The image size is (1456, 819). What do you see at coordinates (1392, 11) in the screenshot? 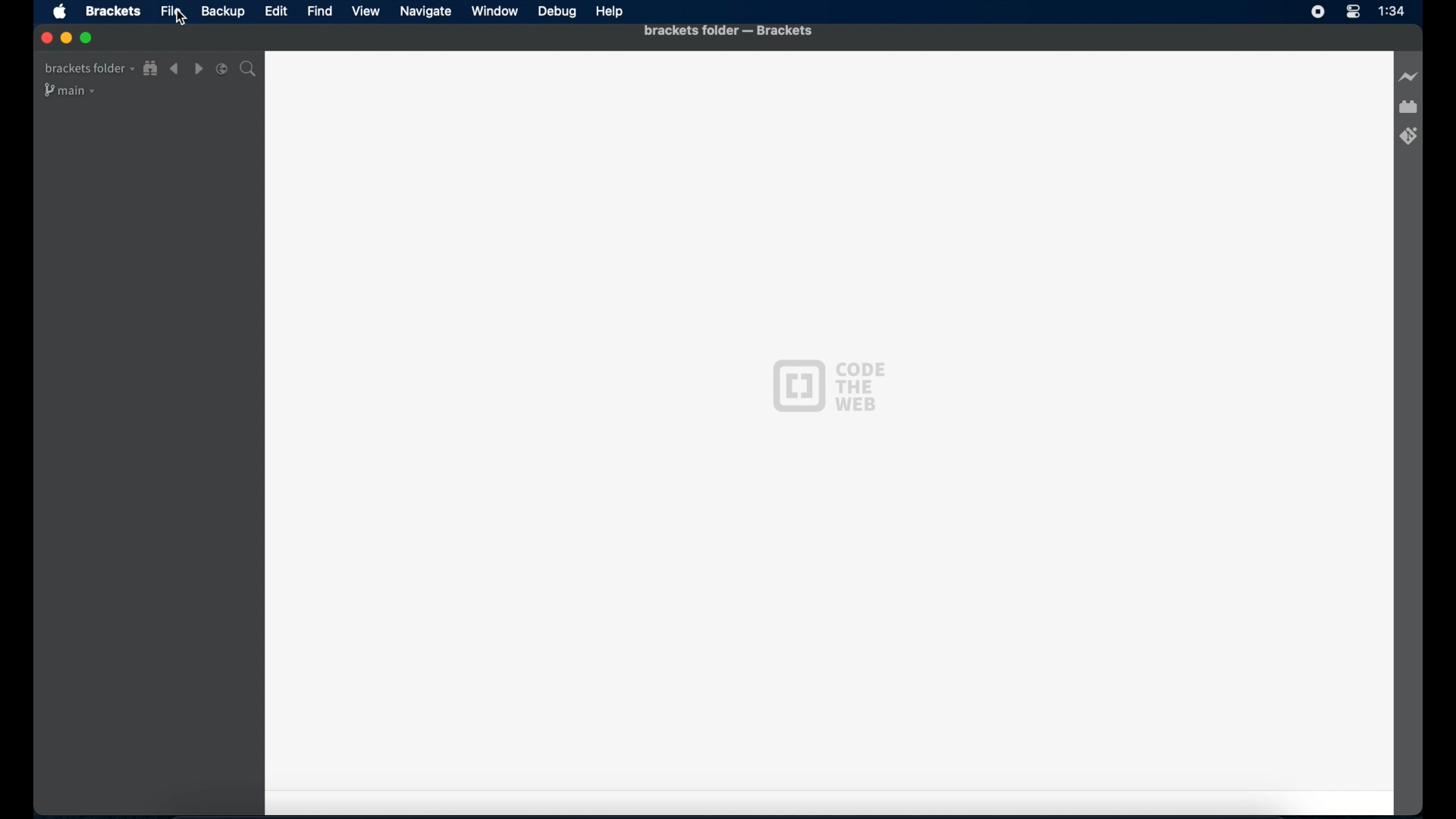
I see `Time` at bounding box center [1392, 11].